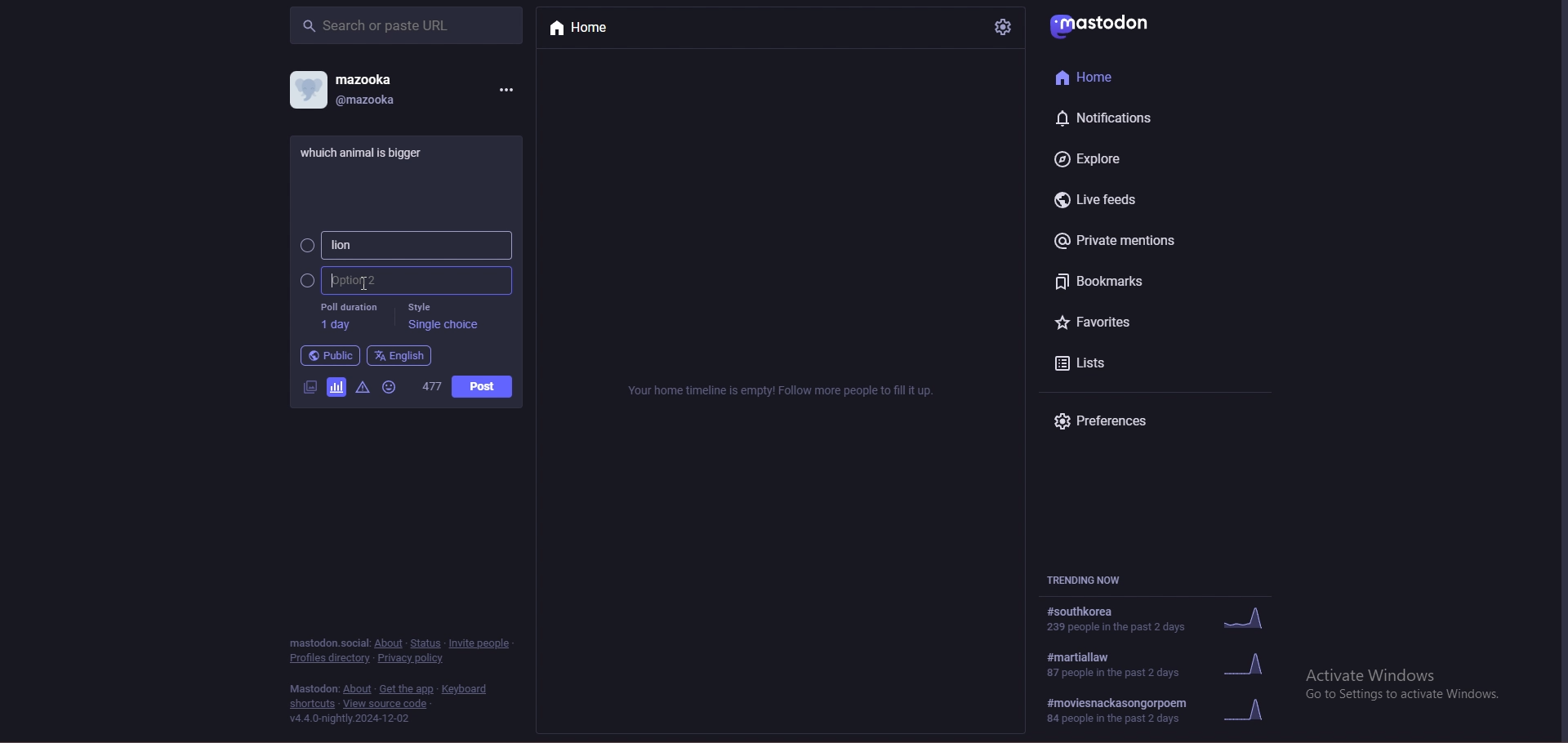  I want to click on bookmarks, so click(1126, 281).